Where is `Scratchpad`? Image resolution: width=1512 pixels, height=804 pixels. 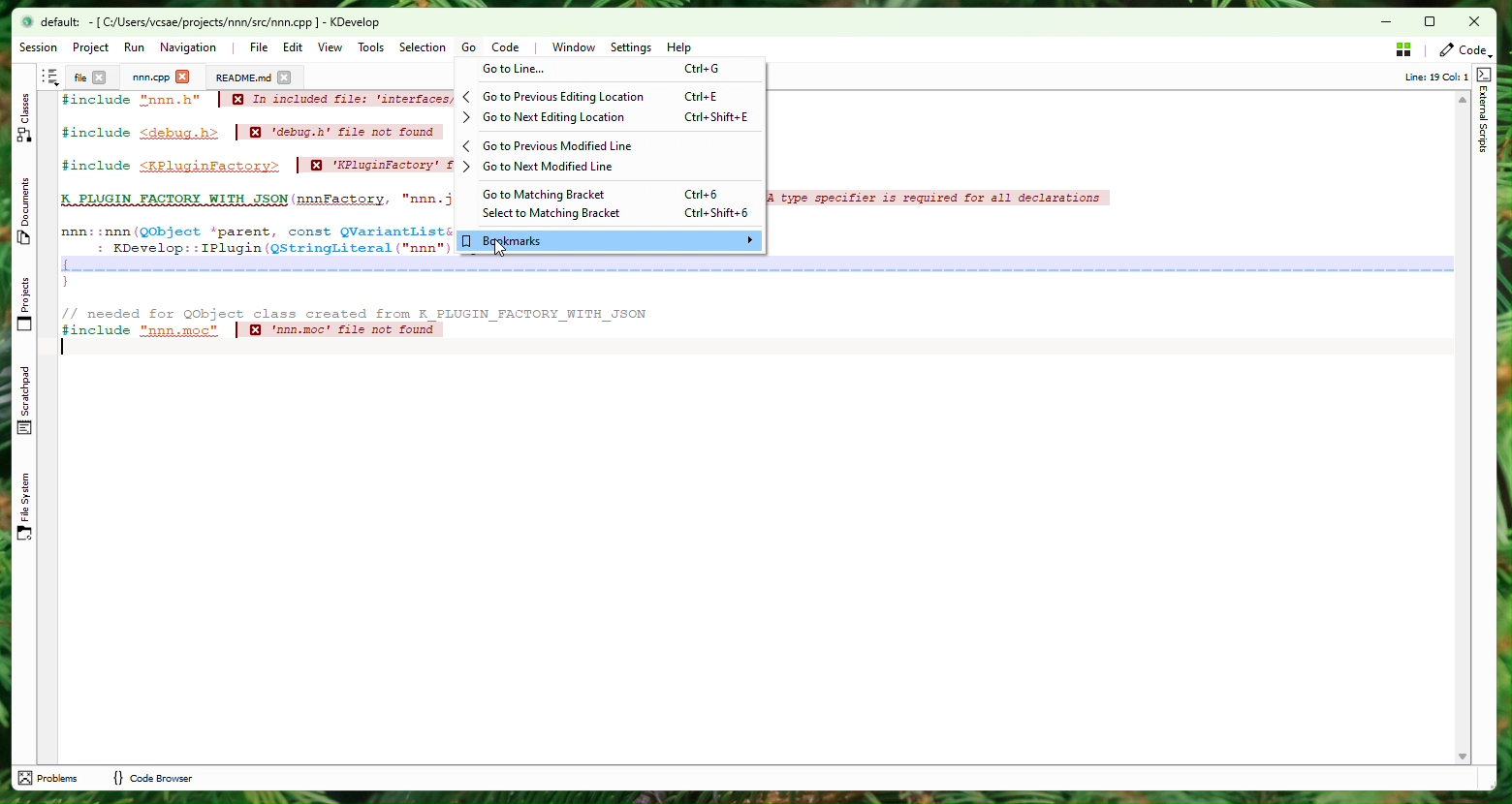
Scratchpad is located at coordinates (27, 401).